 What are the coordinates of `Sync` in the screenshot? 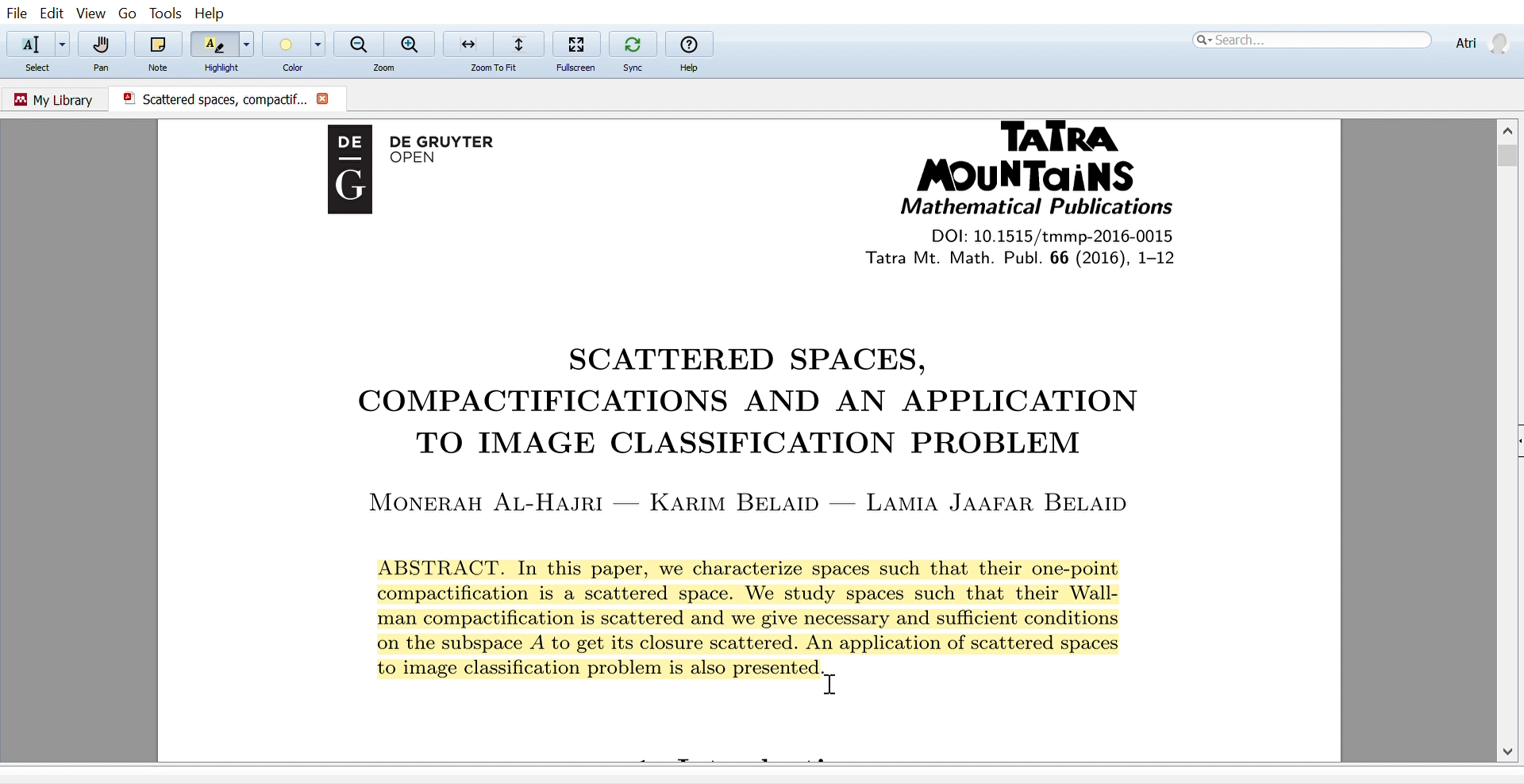 It's located at (633, 67).